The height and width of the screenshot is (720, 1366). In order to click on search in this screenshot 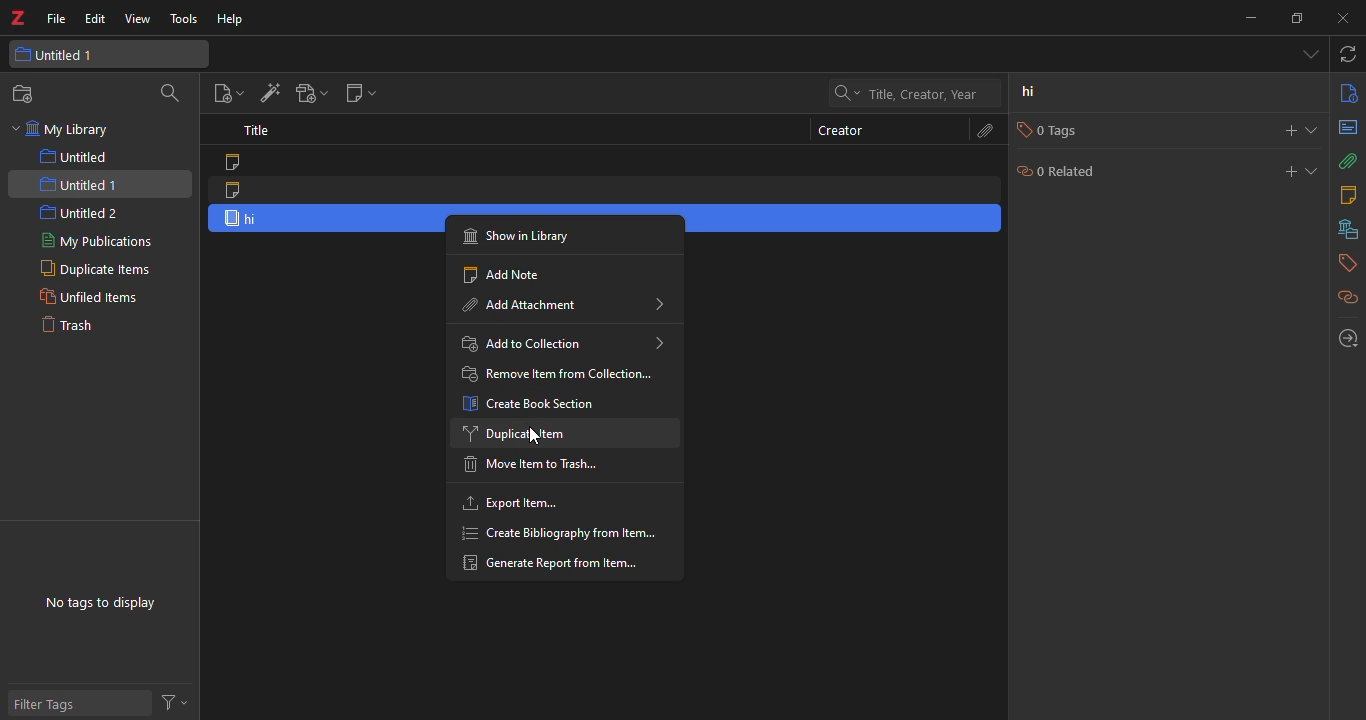, I will do `click(896, 95)`.